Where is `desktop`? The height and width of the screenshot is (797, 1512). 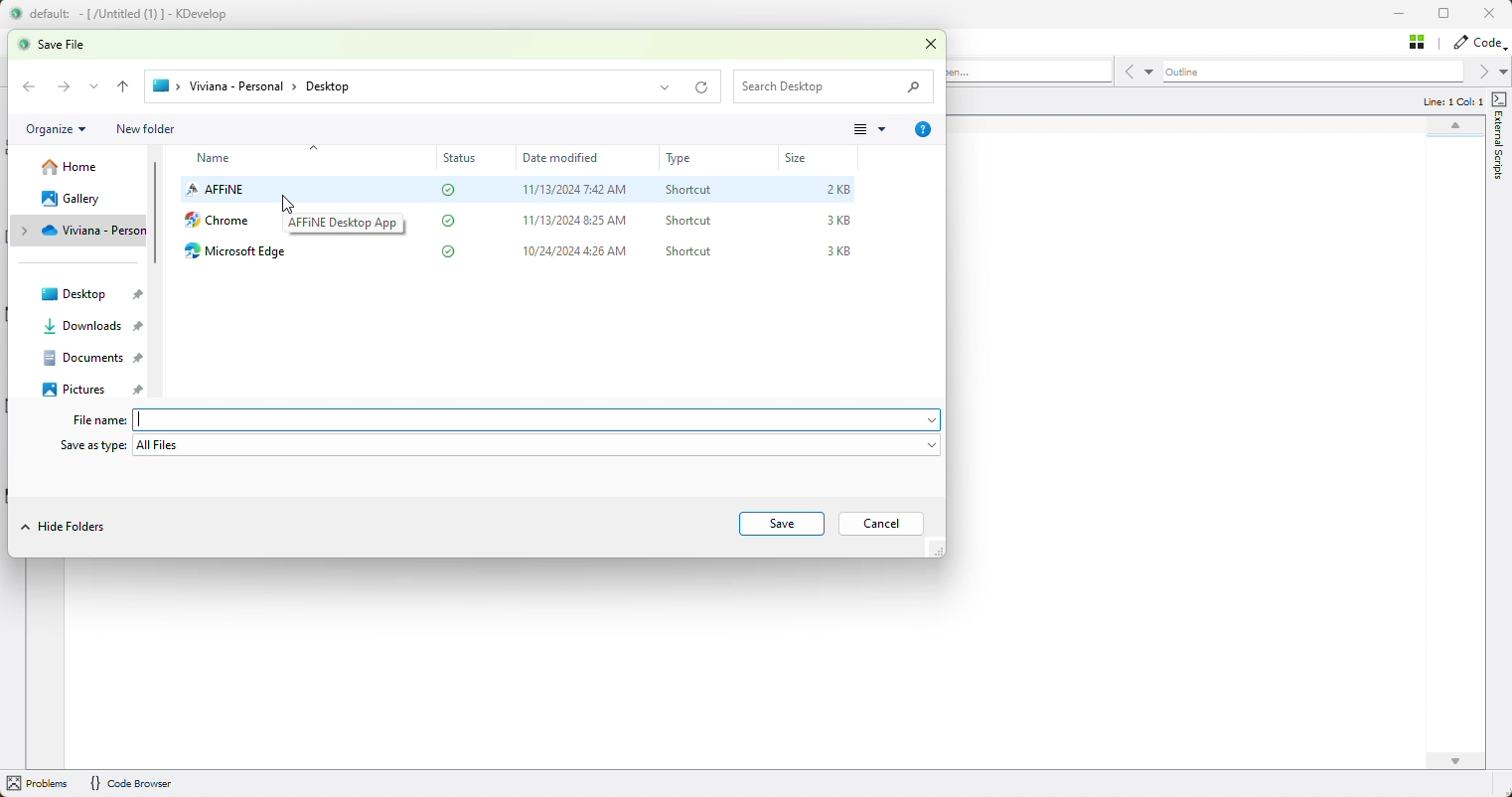 desktop is located at coordinates (91, 292).